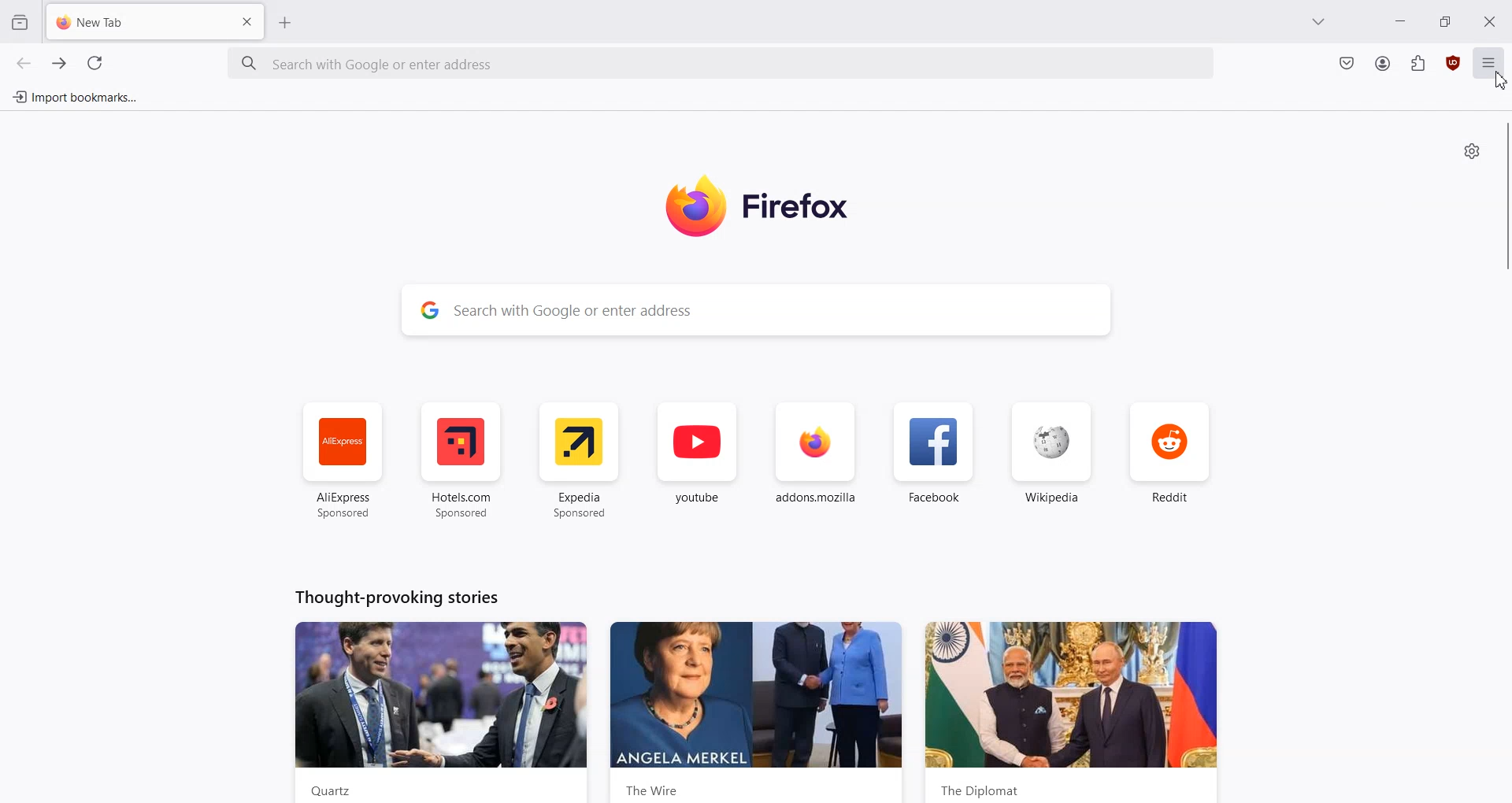 The image size is (1512, 803). Describe the element at coordinates (758, 309) in the screenshot. I see `Search Bar` at that location.